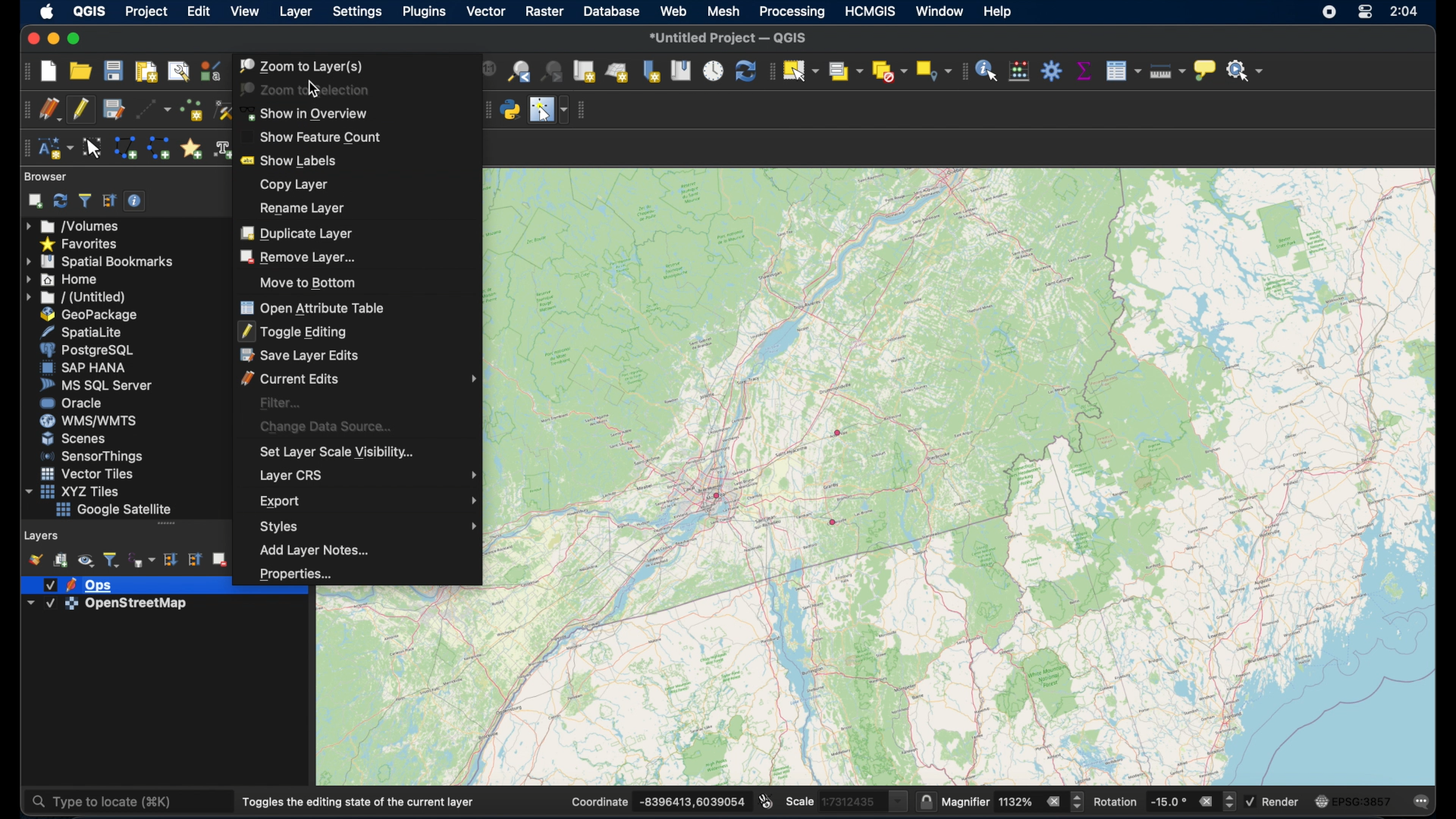 Image resolution: width=1456 pixels, height=819 pixels. What do you see at coordinates (295, 572) in the screenshot?
I see `properties` at bounding box center [295, 572].